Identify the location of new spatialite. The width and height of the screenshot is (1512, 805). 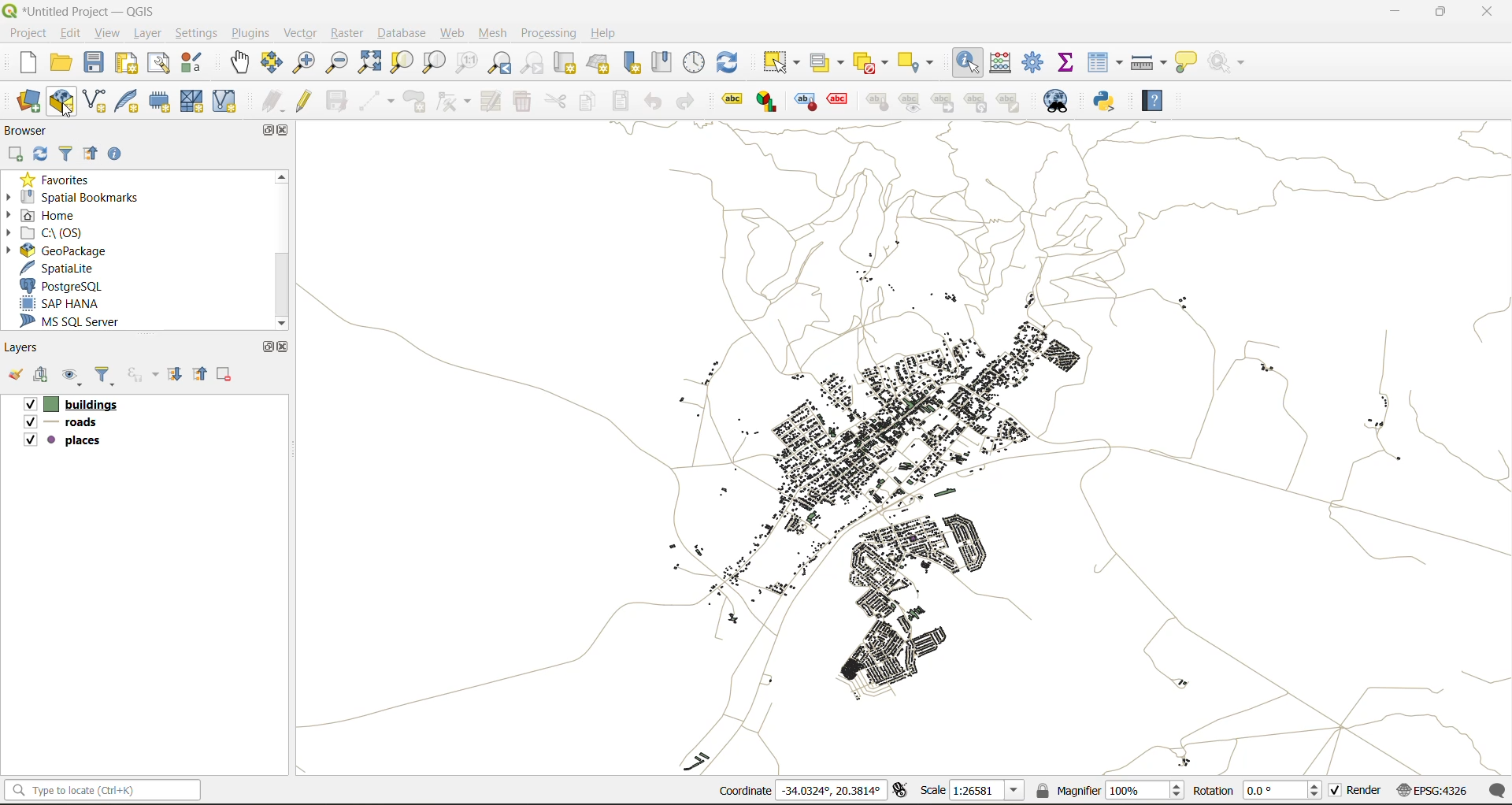
(130, 105).